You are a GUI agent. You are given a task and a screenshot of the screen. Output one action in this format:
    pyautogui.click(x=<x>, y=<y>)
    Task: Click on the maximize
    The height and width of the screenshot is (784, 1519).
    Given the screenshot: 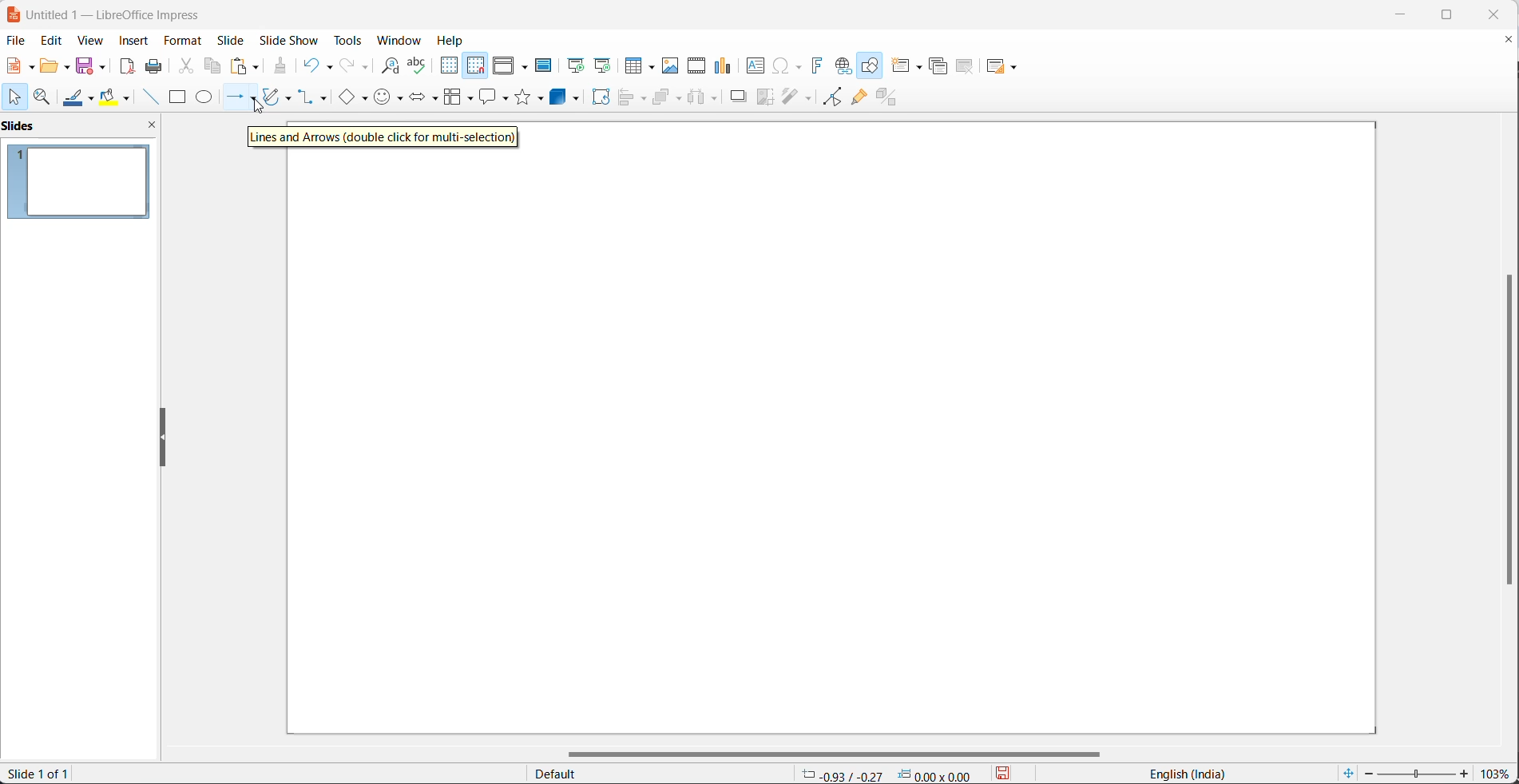 What is the action you would take?
    pyautogui.click(x=1457, y=14)
    